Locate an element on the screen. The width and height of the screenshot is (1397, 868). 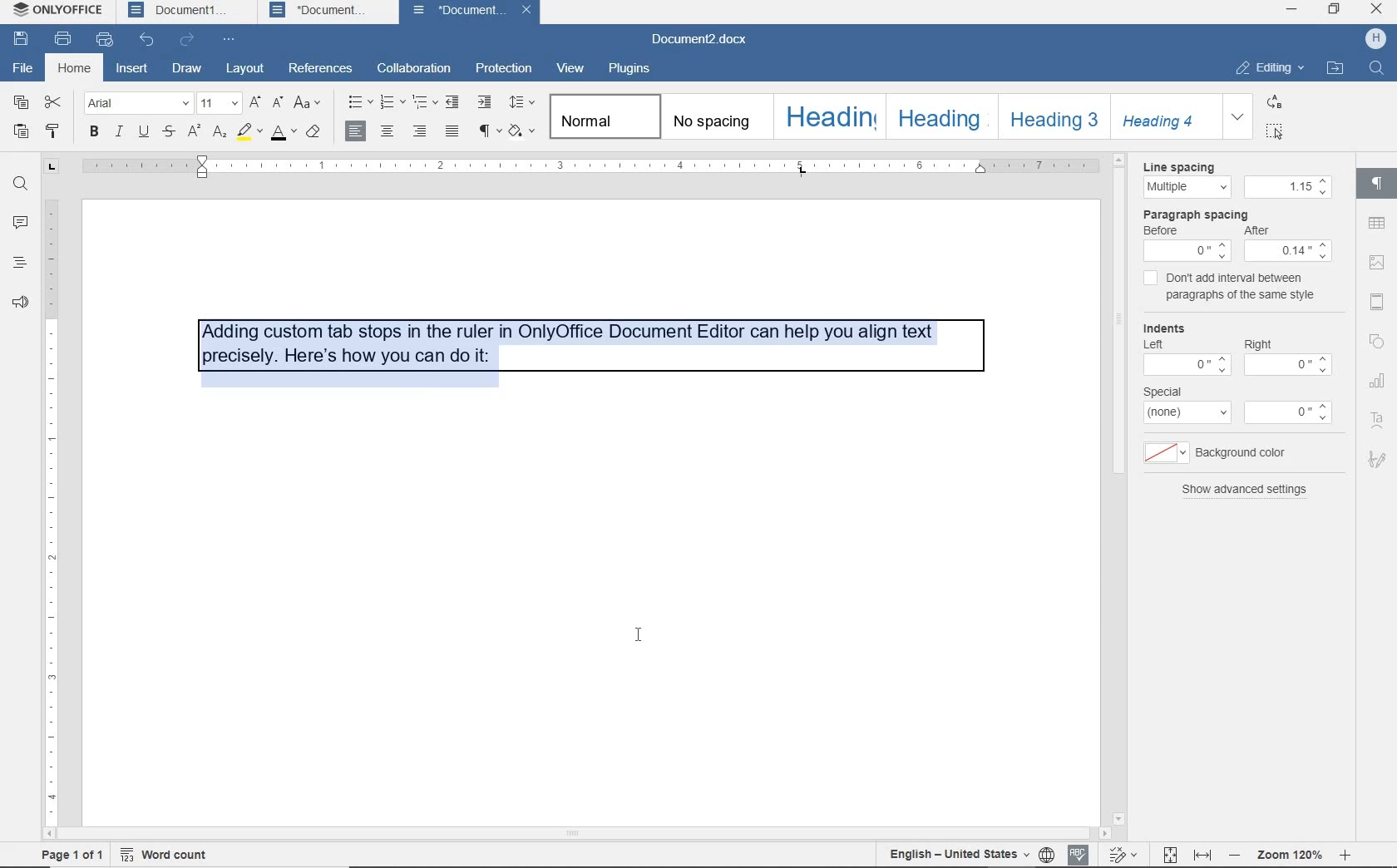
paste is located at coordinates (22, 132).